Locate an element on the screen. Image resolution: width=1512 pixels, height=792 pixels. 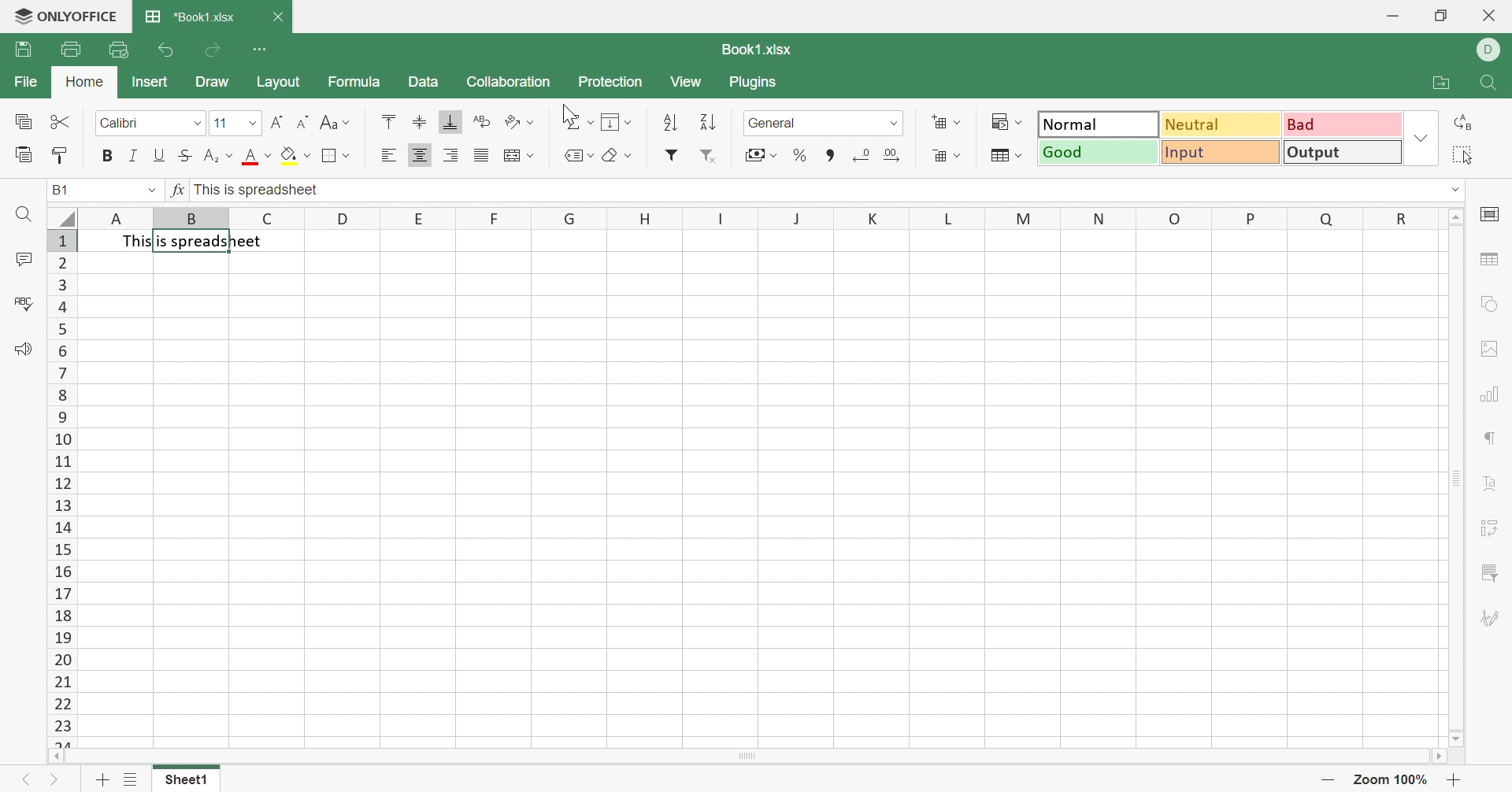
A1 is located at coordinates (62, 188).